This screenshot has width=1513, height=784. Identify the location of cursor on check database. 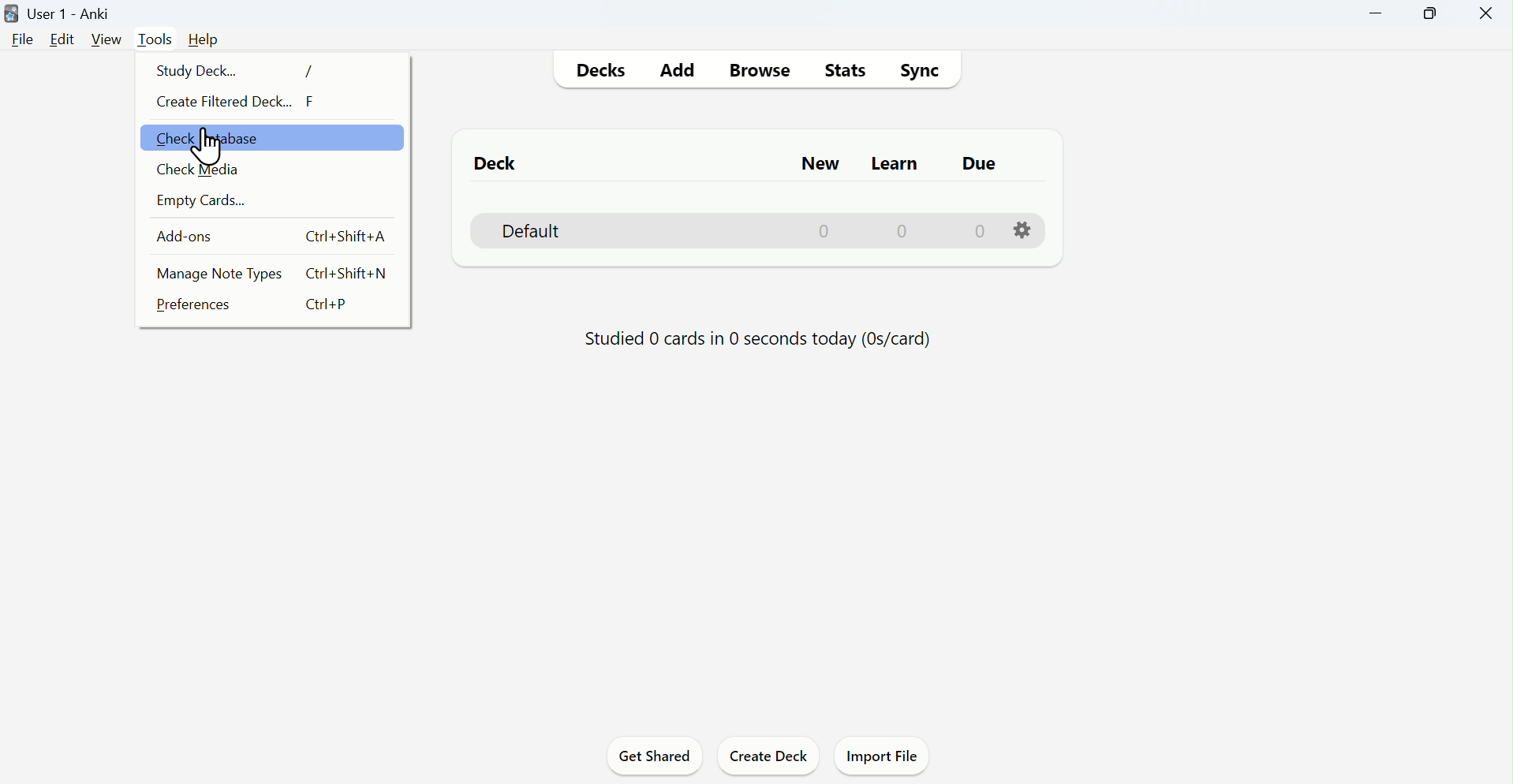
(213, 145).